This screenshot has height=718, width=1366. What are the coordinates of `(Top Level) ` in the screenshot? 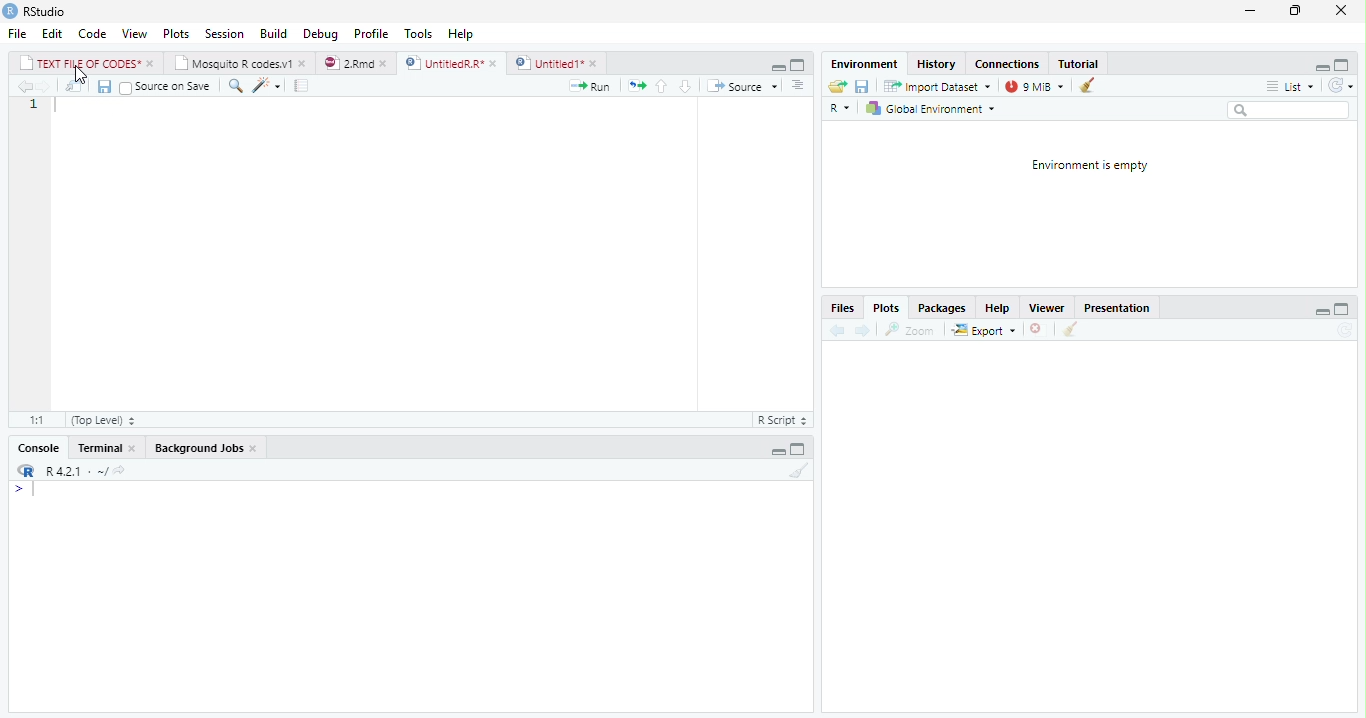 It's located at (106, 421).